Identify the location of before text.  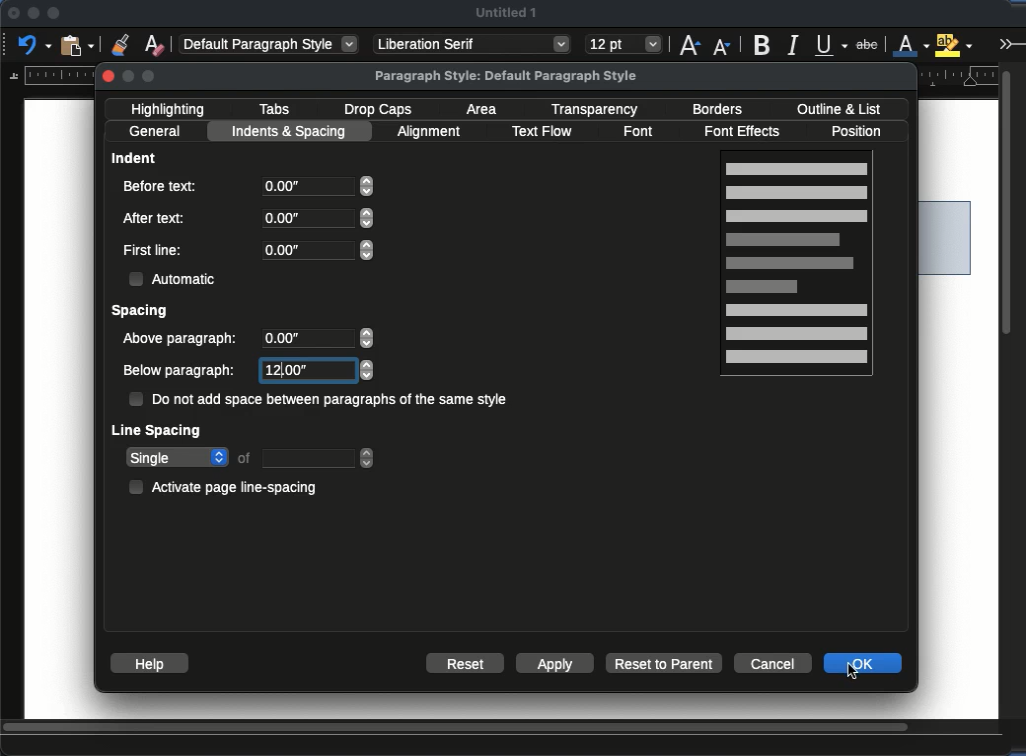
(160, 186).